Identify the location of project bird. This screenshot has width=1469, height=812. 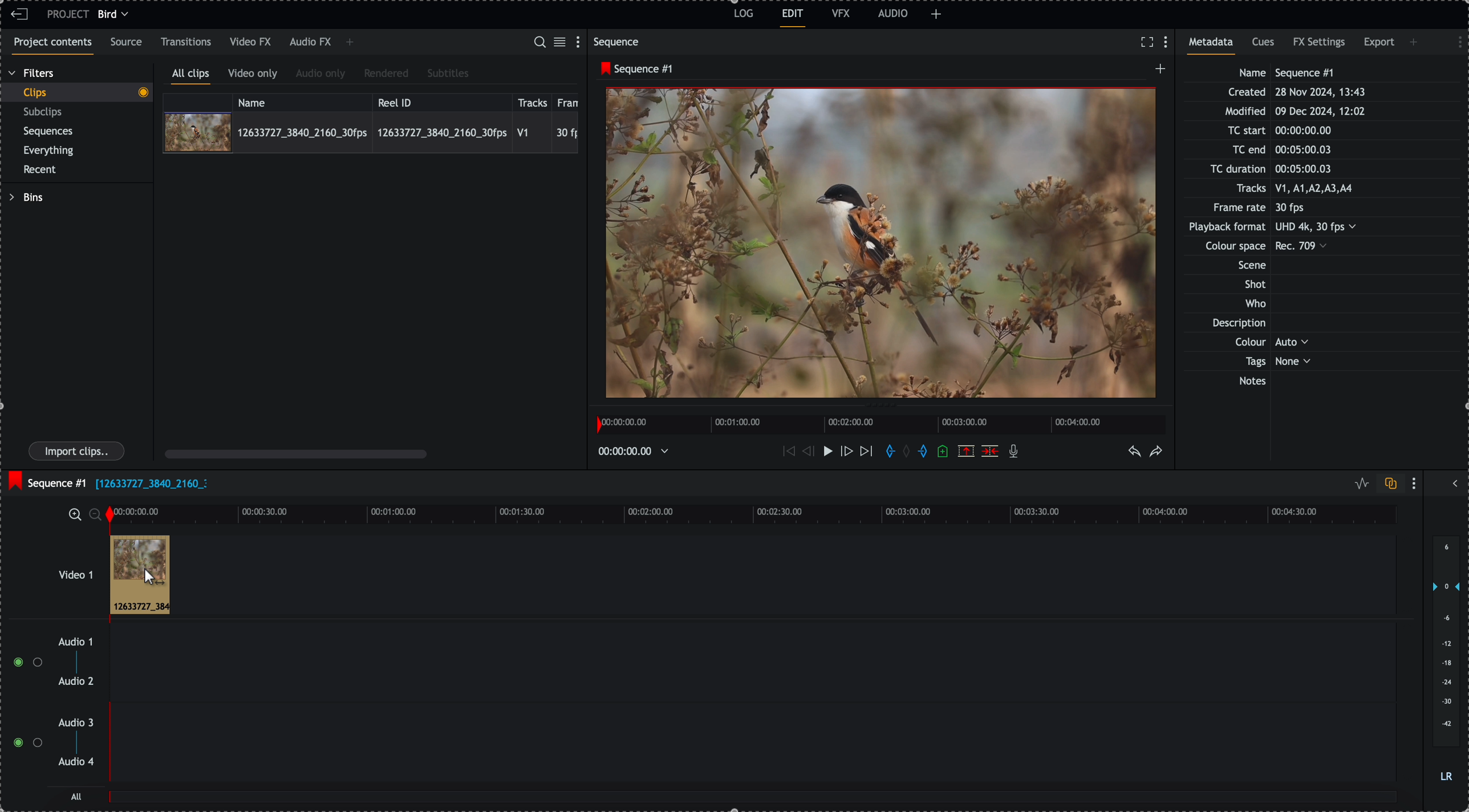
(91, 14).